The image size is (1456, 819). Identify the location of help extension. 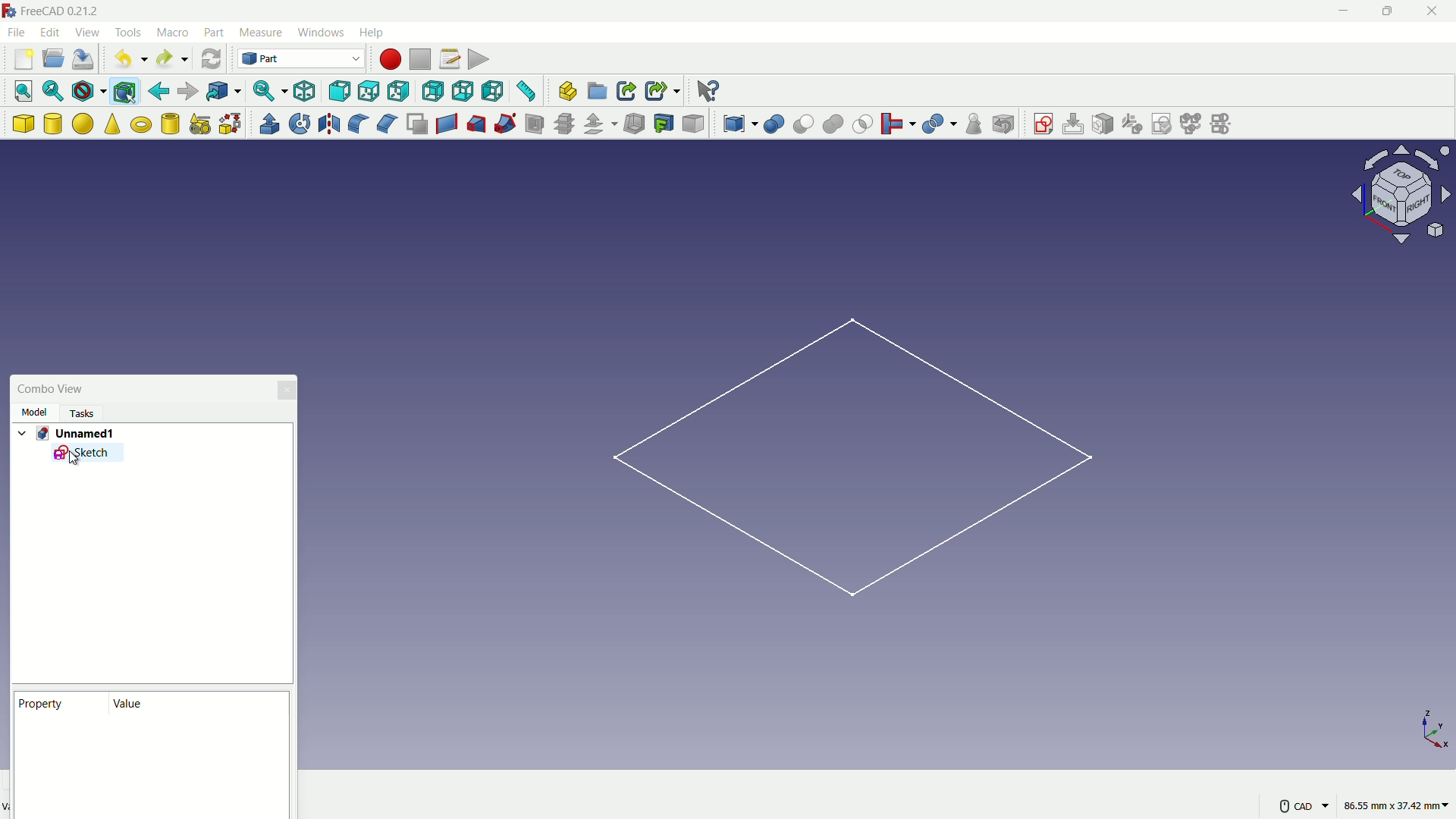
(707, 90).